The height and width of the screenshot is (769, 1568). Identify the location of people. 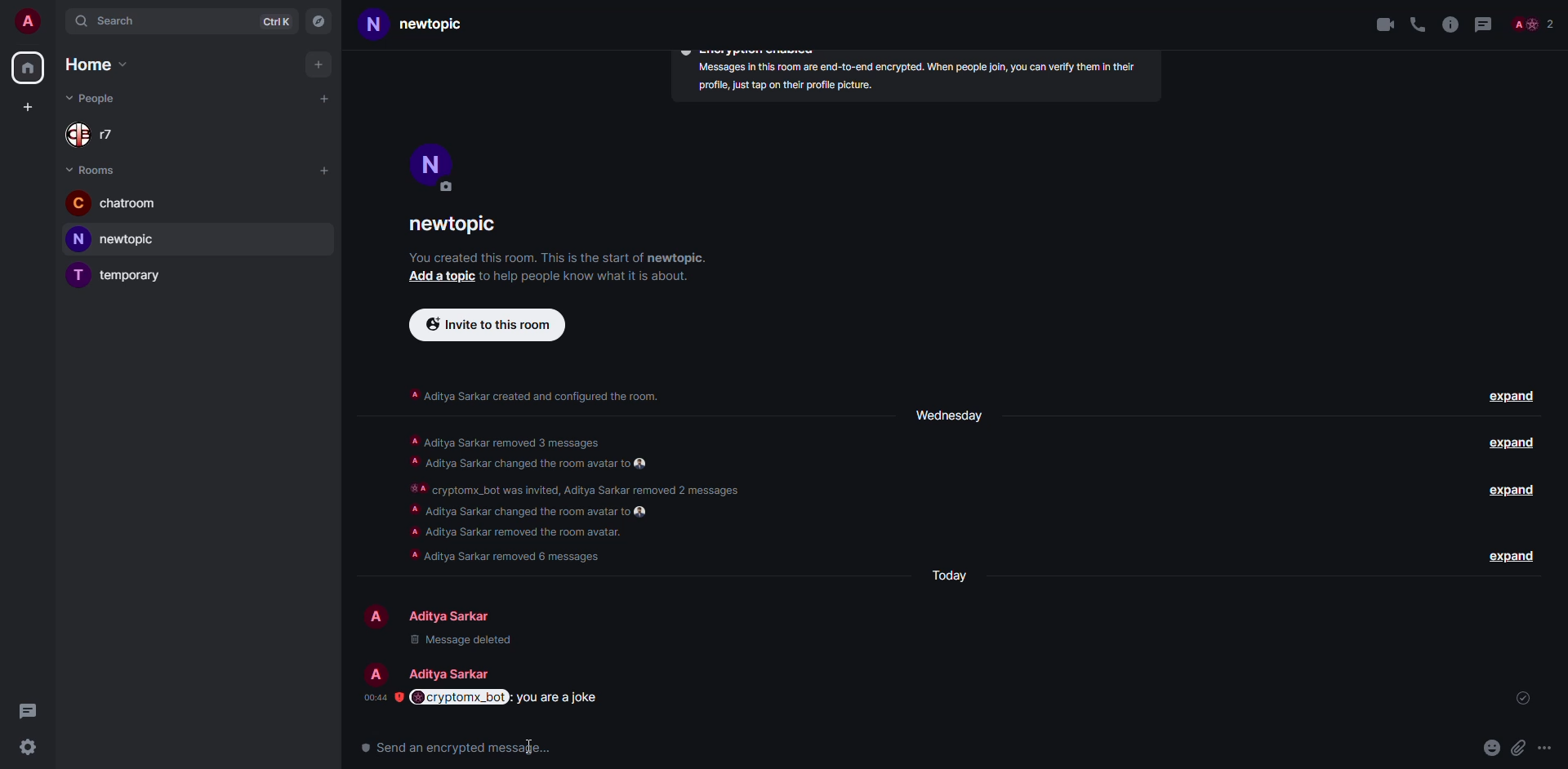
(98, 134).